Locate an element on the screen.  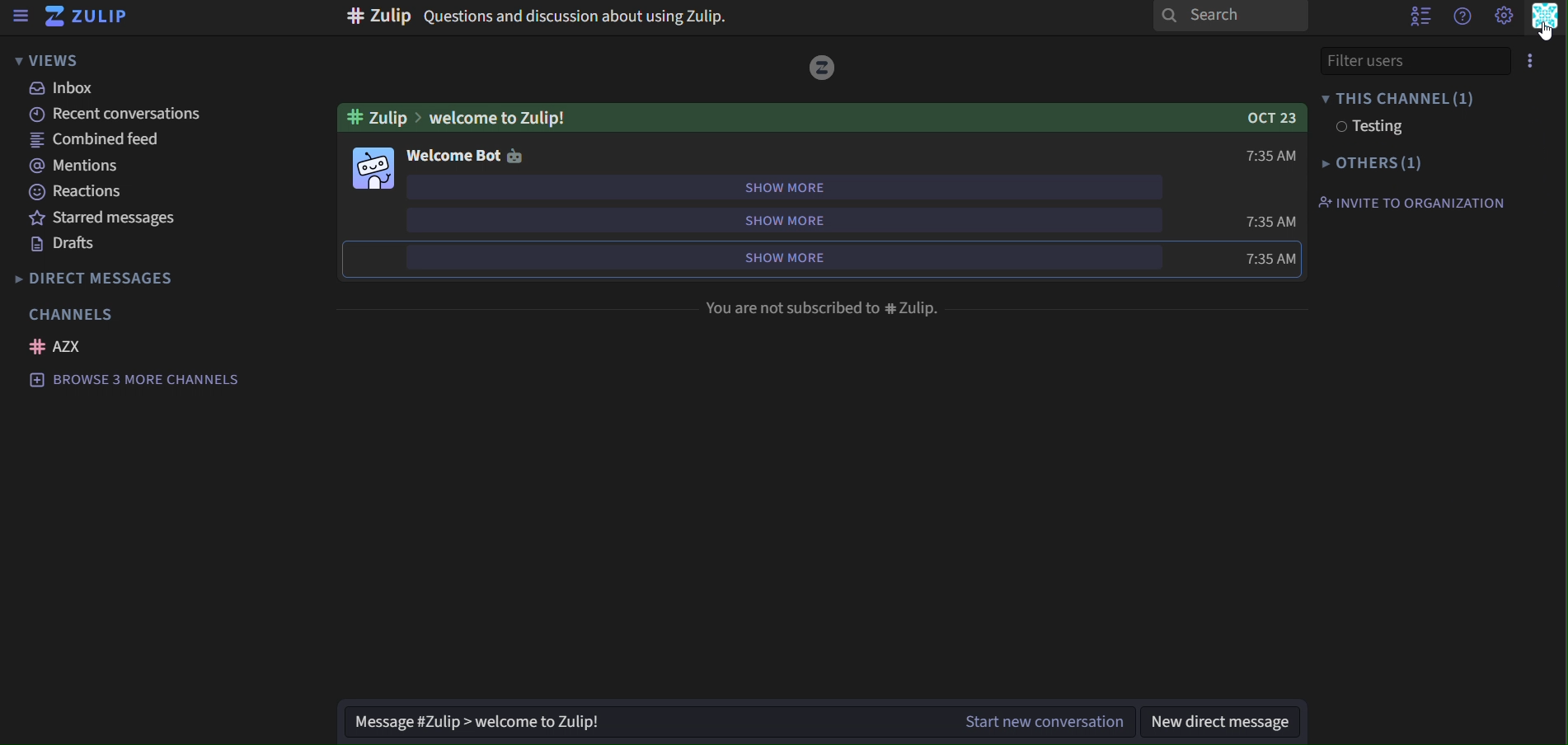
welcome bot is located at coordinates (469, 157).